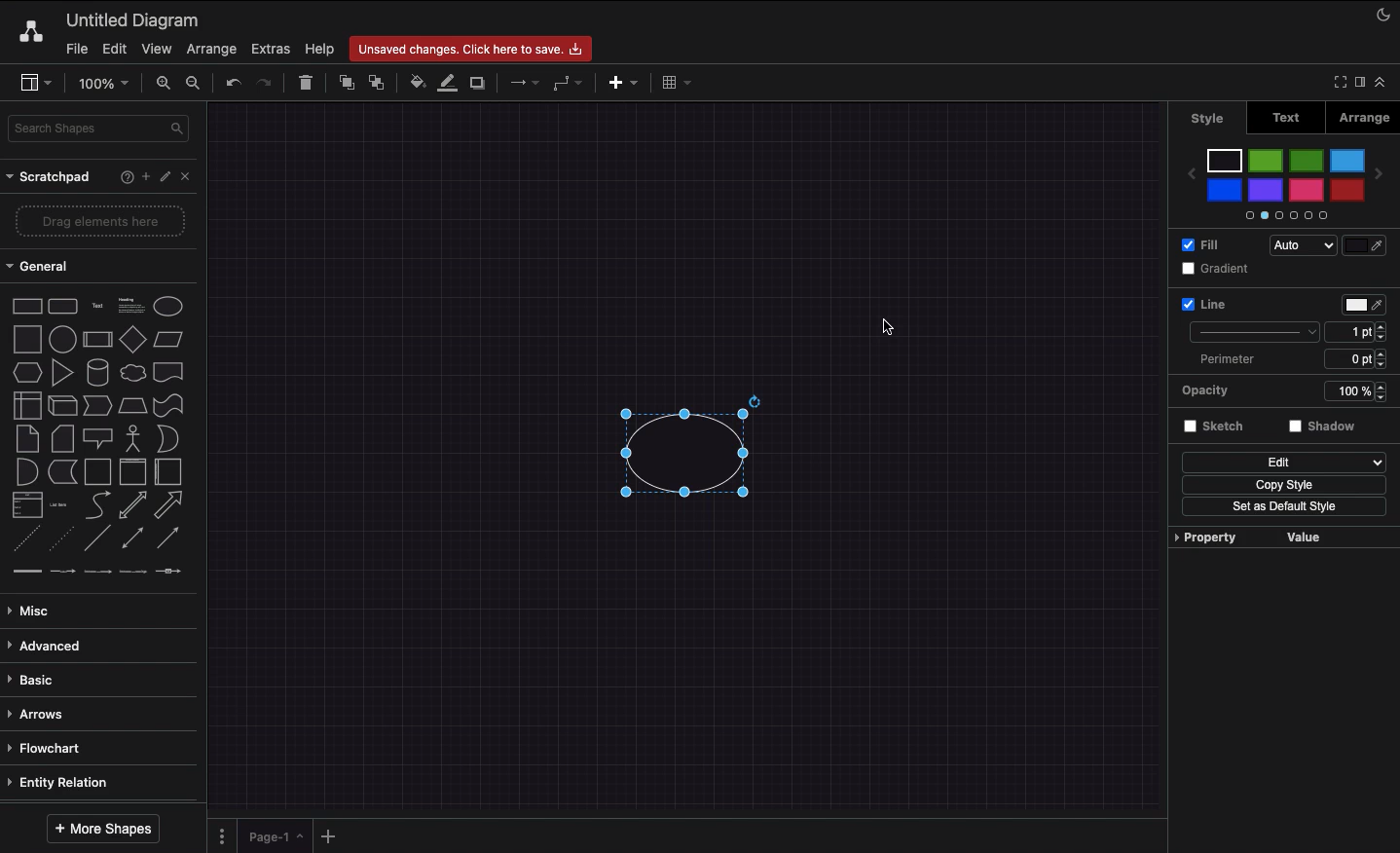  I want to click on Circle, so click(62, 337).